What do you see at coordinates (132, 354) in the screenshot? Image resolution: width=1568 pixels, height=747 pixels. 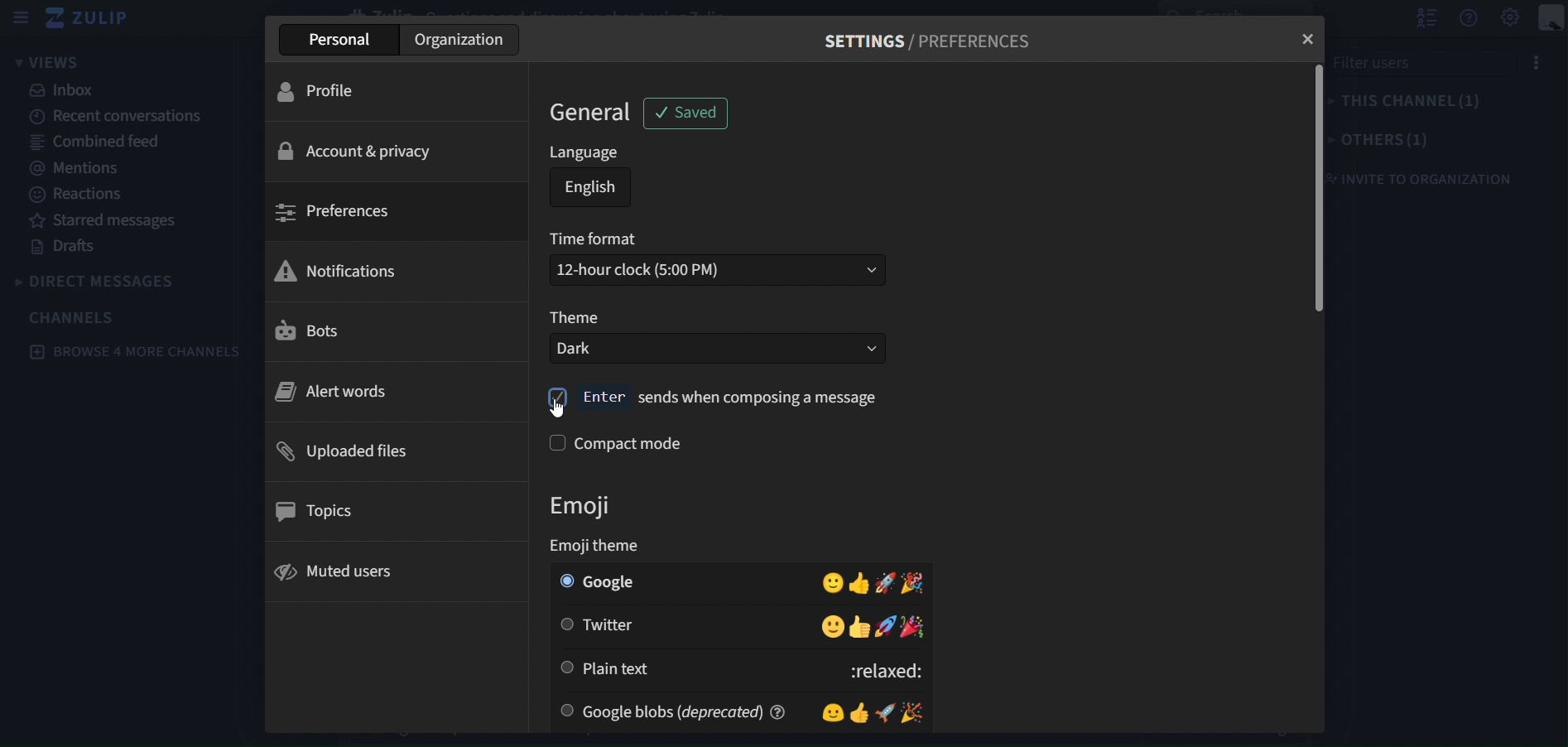 I see `Browse 4 more channels` at bounding box center [132, 354].